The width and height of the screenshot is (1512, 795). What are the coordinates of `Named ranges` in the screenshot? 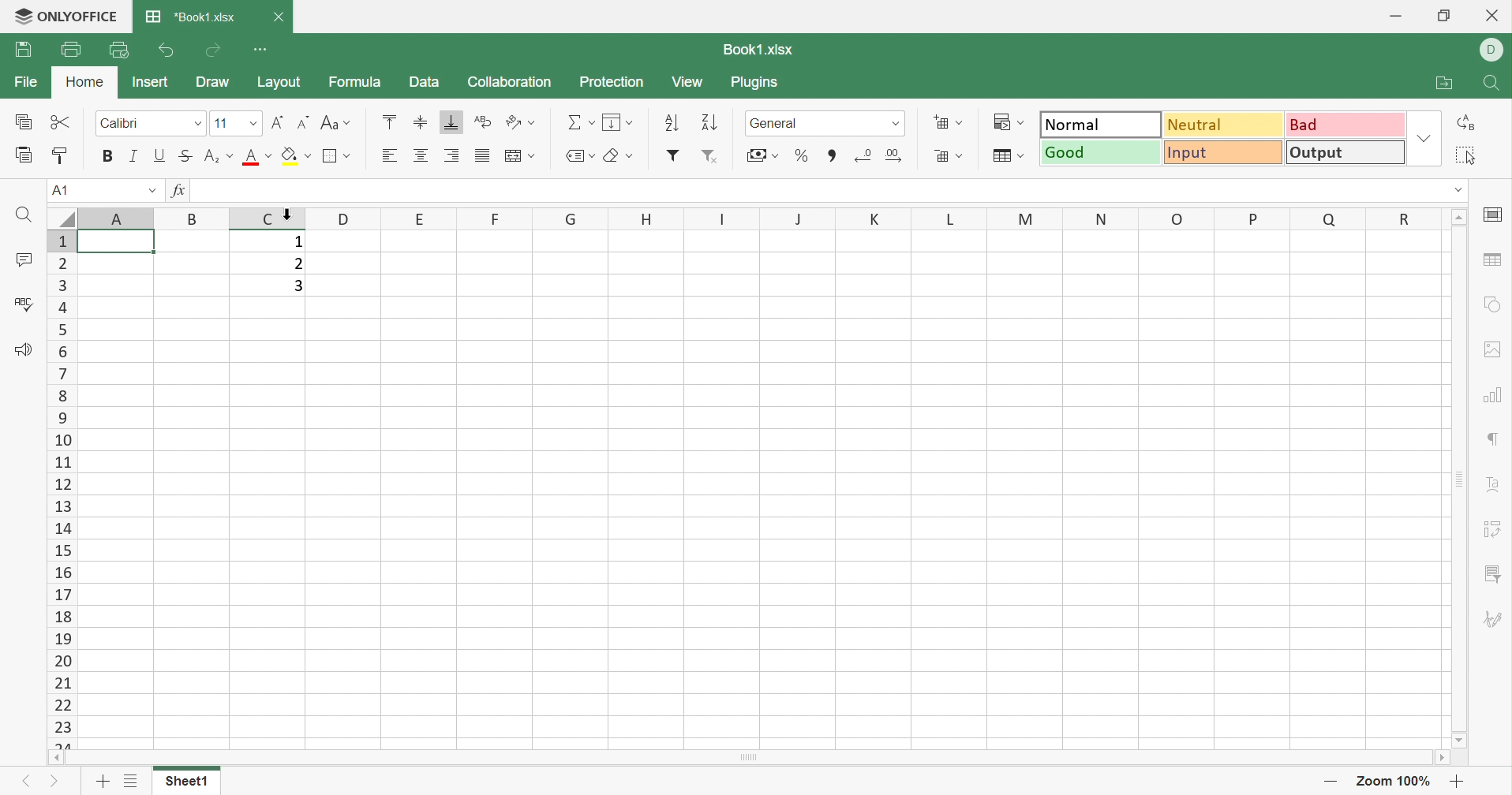 It's located at (572, 155).